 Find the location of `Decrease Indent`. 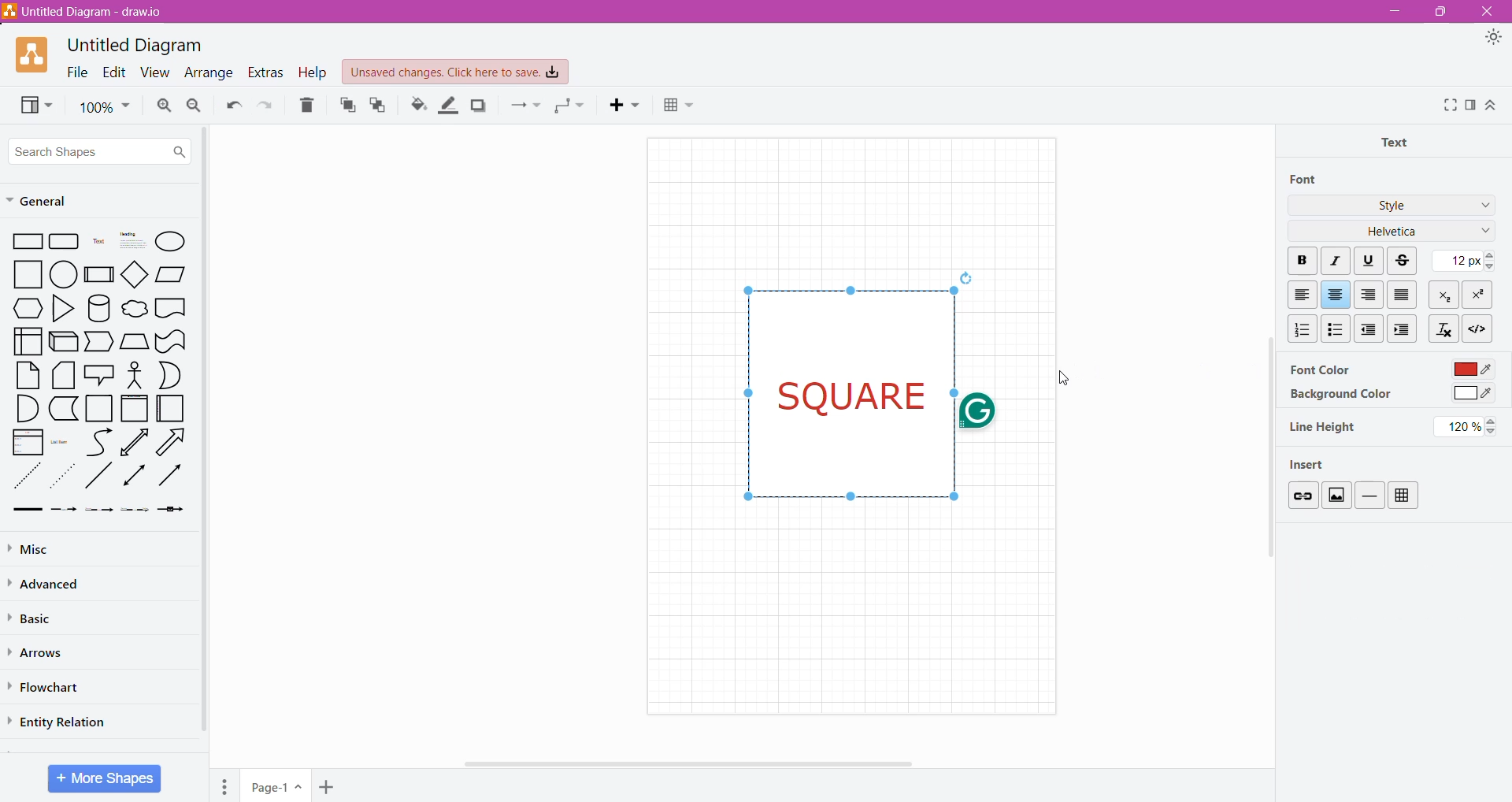

Decrease Indent is located at coordinates (1370, 329).